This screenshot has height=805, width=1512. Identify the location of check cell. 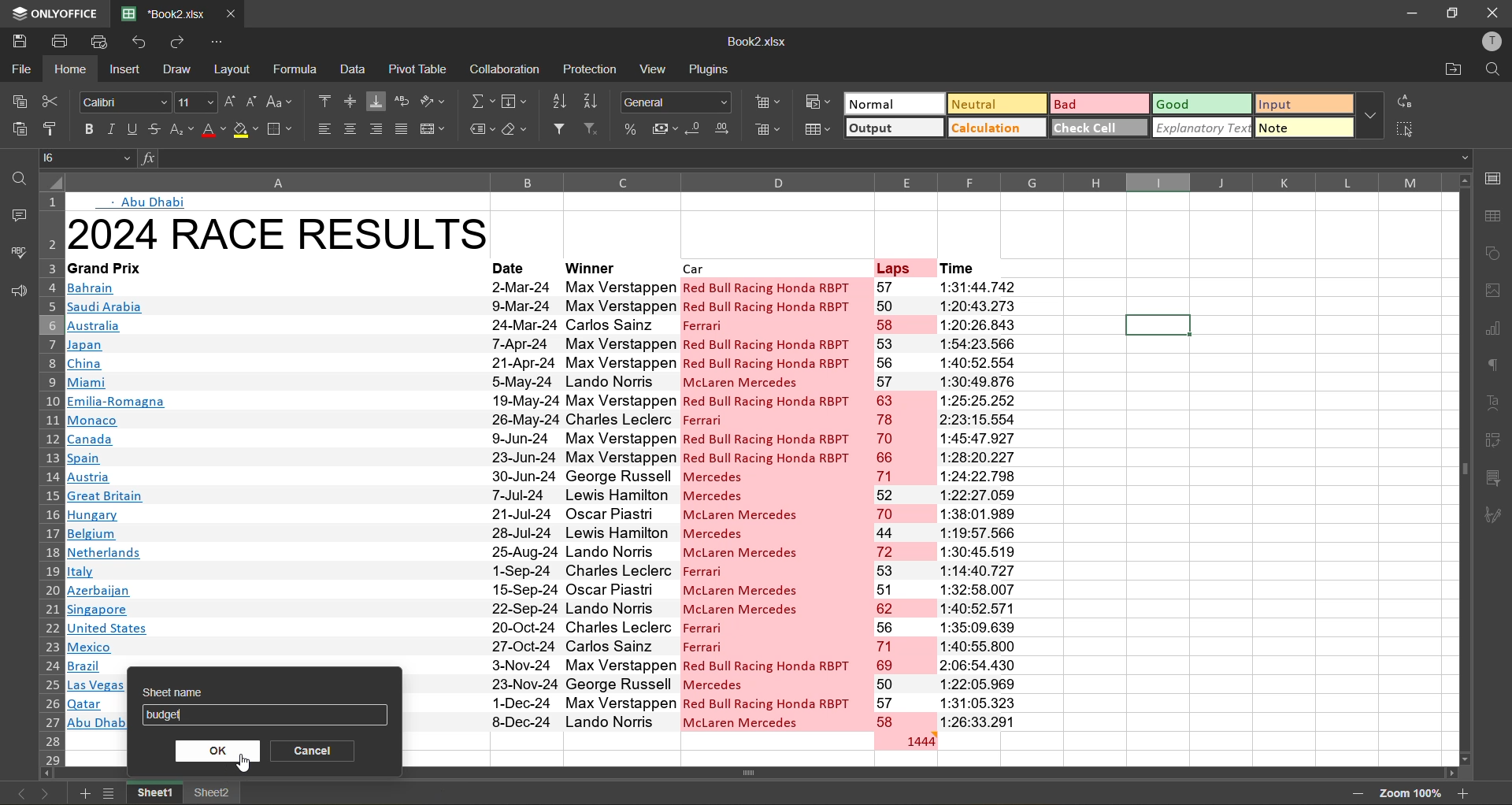
(1095, 127).